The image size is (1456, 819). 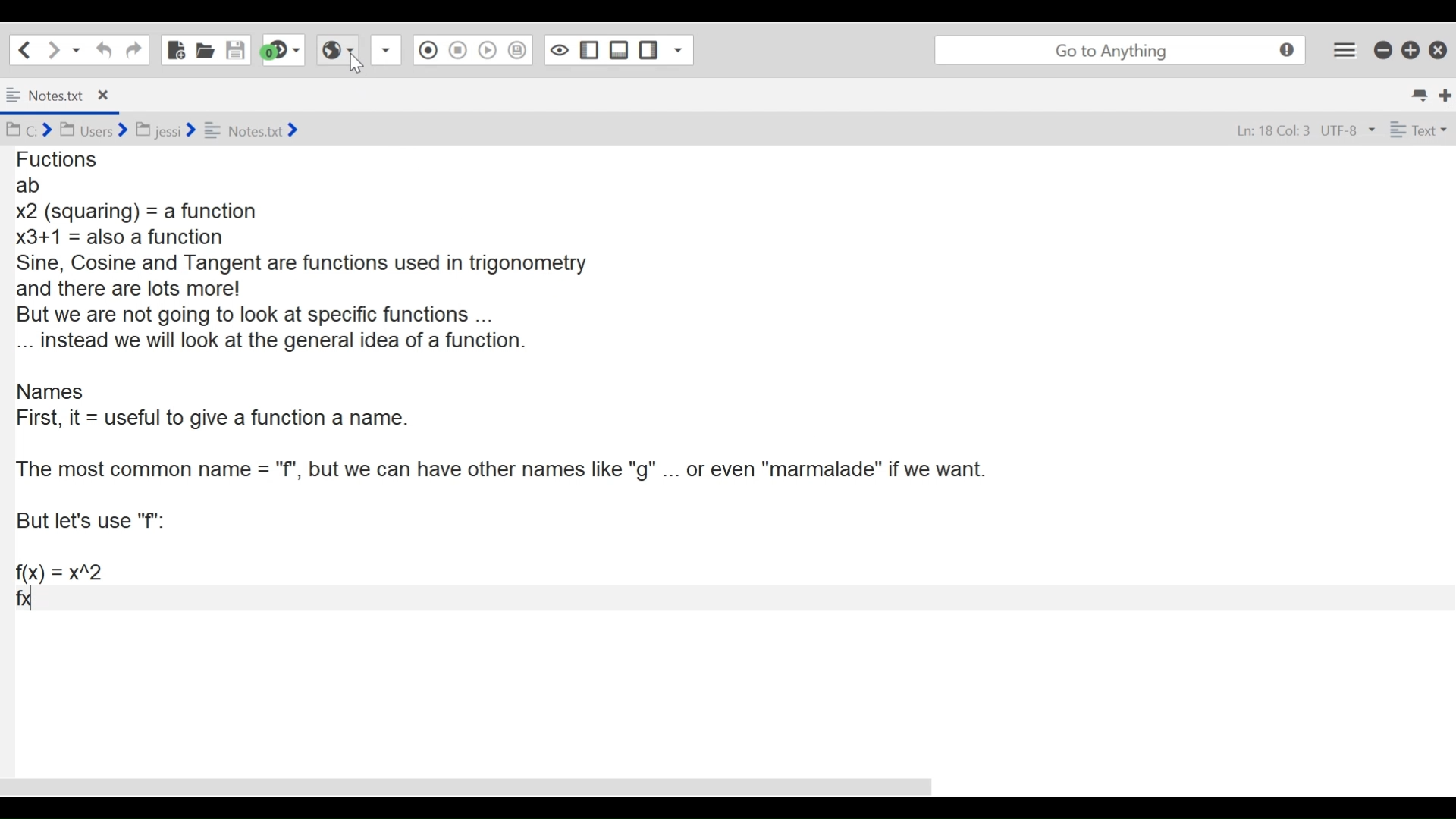 I want to click on View in Browser, so click(x=337, y=52).